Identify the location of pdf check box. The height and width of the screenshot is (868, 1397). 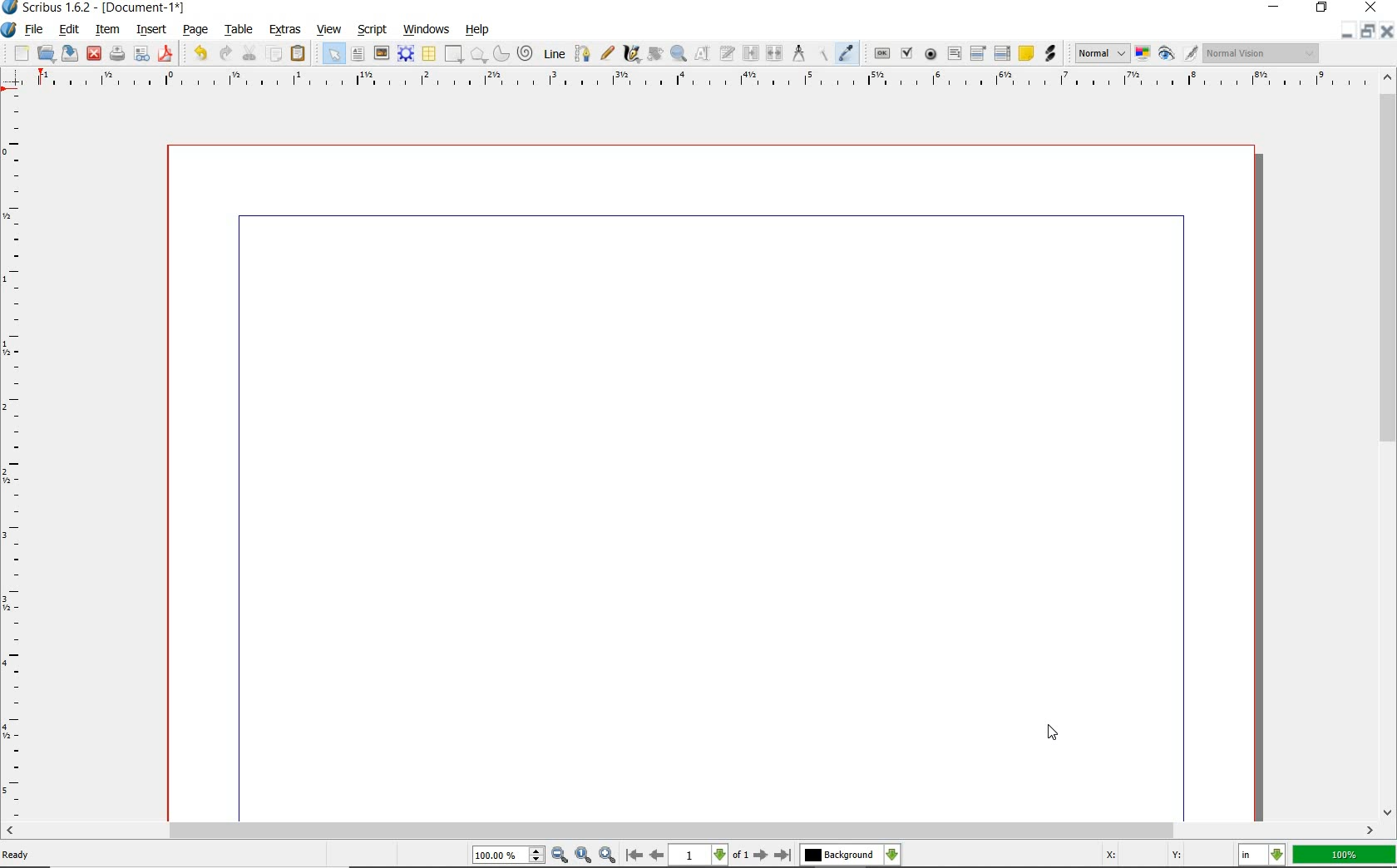
(906, 52).